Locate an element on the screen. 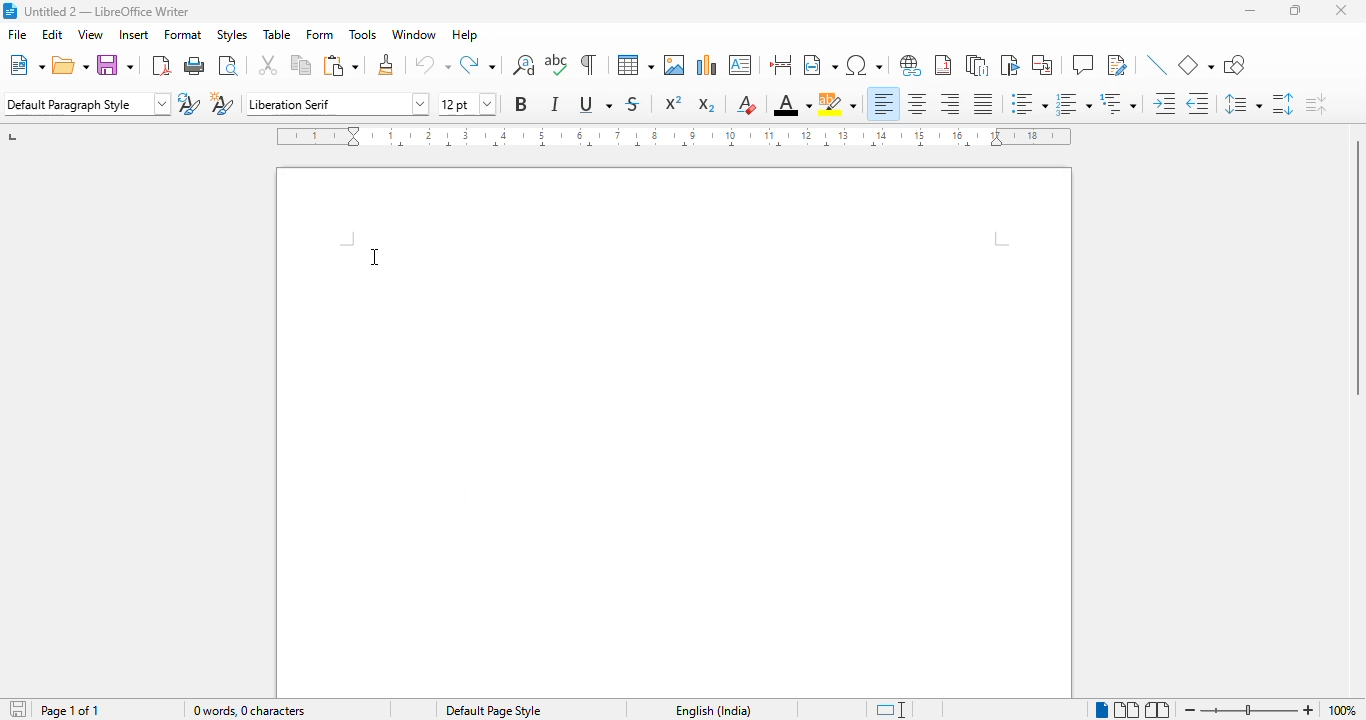 Image resolution: width=1366 pixels, height=720 pixels. insert endnote is located at coordinates (978, 65).